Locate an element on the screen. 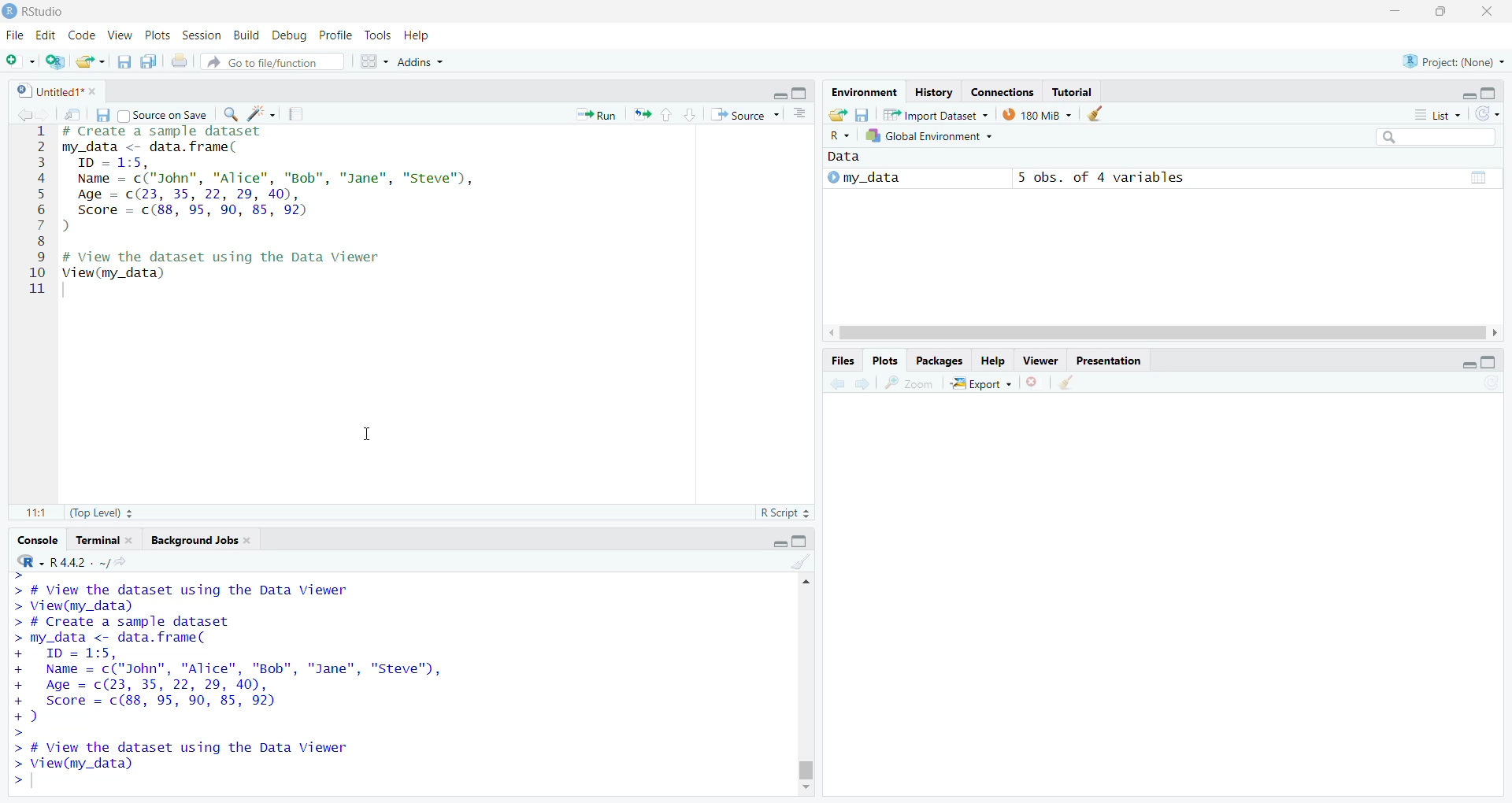 The image size is (1512, 803). Pages is located at coordinates (797, 113).